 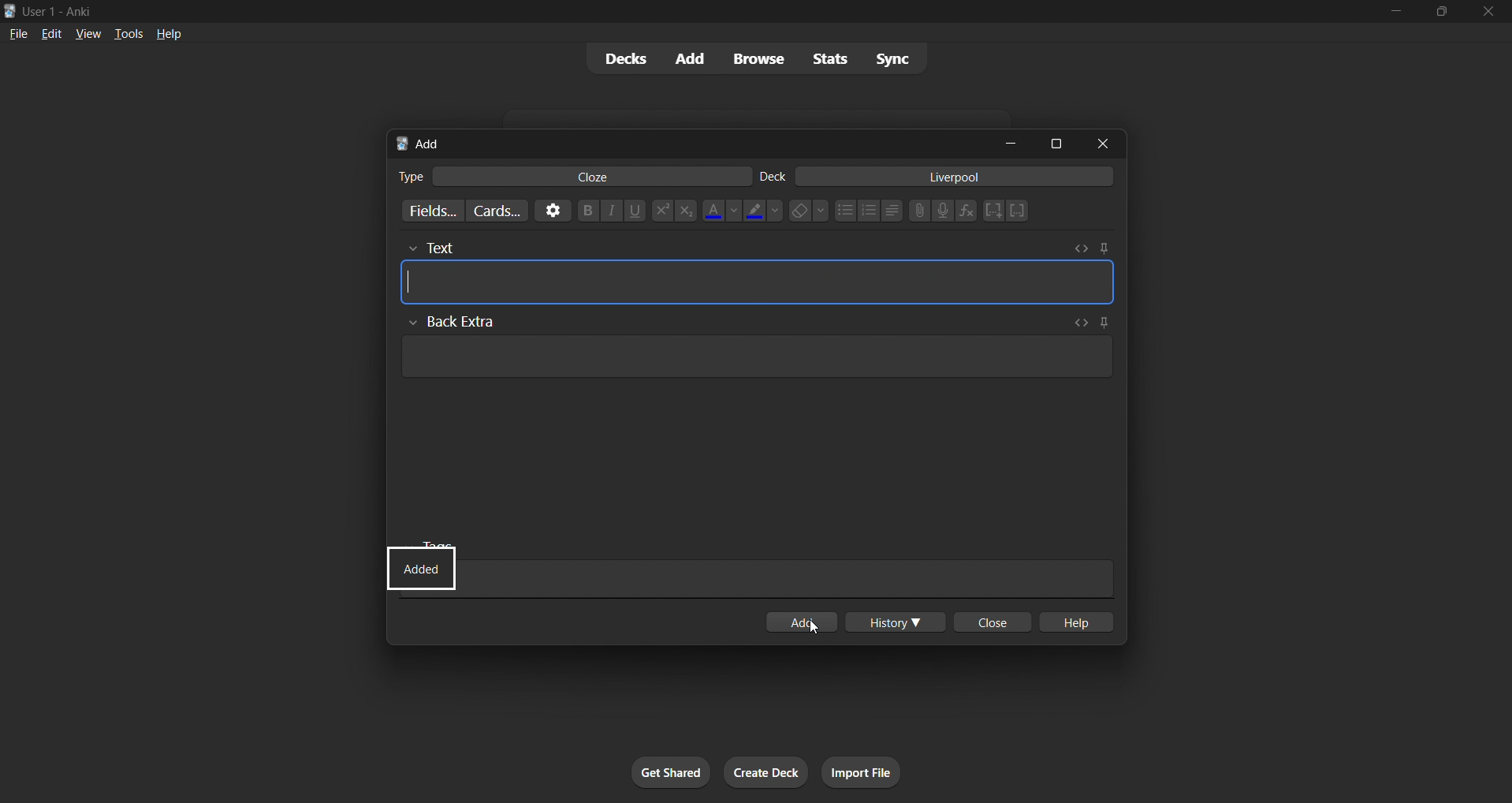 I want to click on close, so click(x=1490, y=13).